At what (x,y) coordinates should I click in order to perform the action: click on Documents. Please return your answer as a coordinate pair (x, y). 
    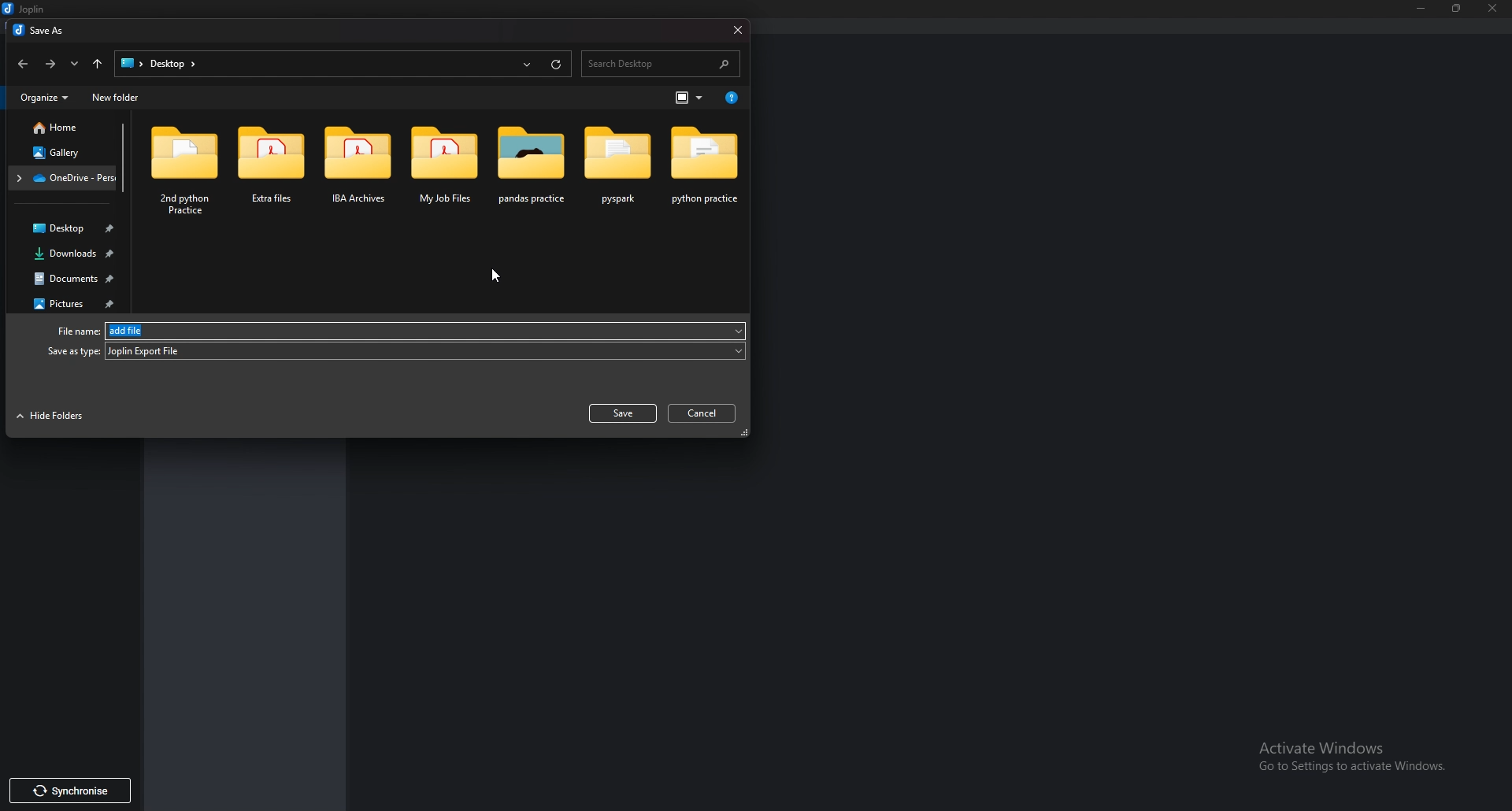
    Looking at the image, I should click on (69, 279).